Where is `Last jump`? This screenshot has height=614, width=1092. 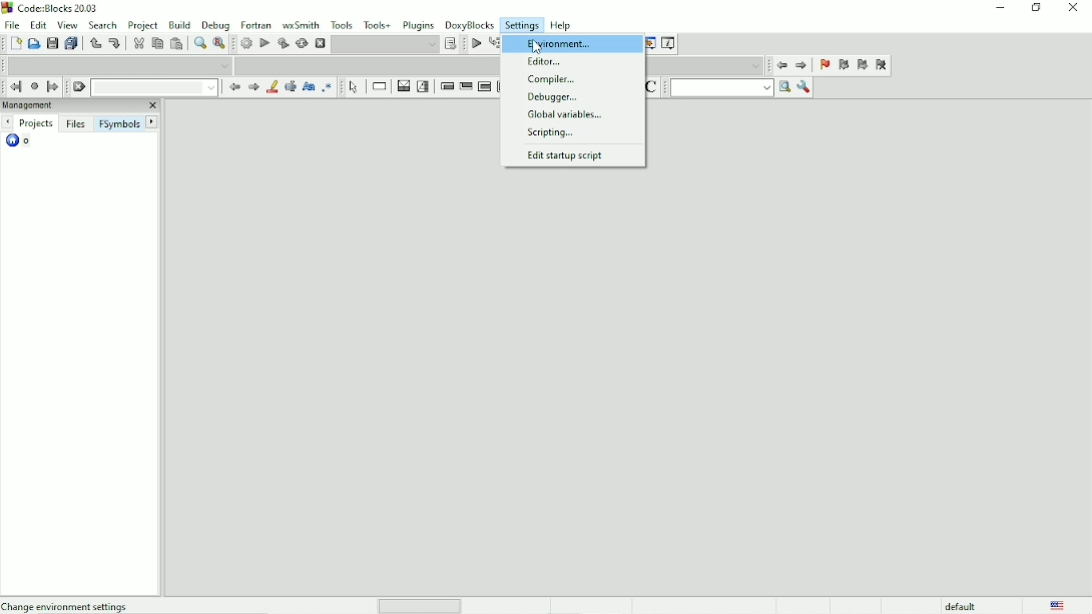 Last jump is located at coordinates (34, 87).